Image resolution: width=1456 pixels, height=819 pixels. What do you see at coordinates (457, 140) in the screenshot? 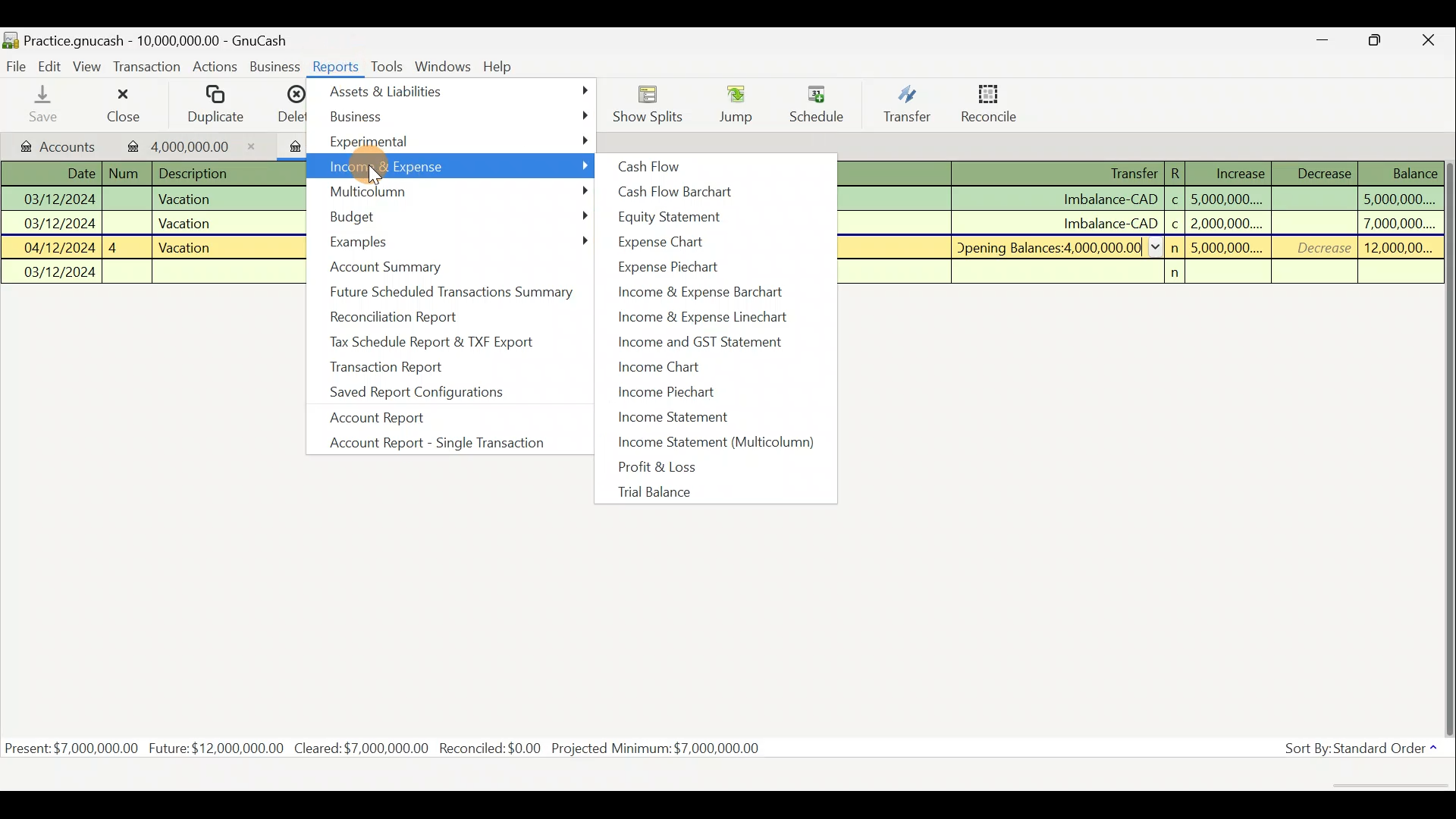
I see `Experimental` at bounding box center [457, 140].